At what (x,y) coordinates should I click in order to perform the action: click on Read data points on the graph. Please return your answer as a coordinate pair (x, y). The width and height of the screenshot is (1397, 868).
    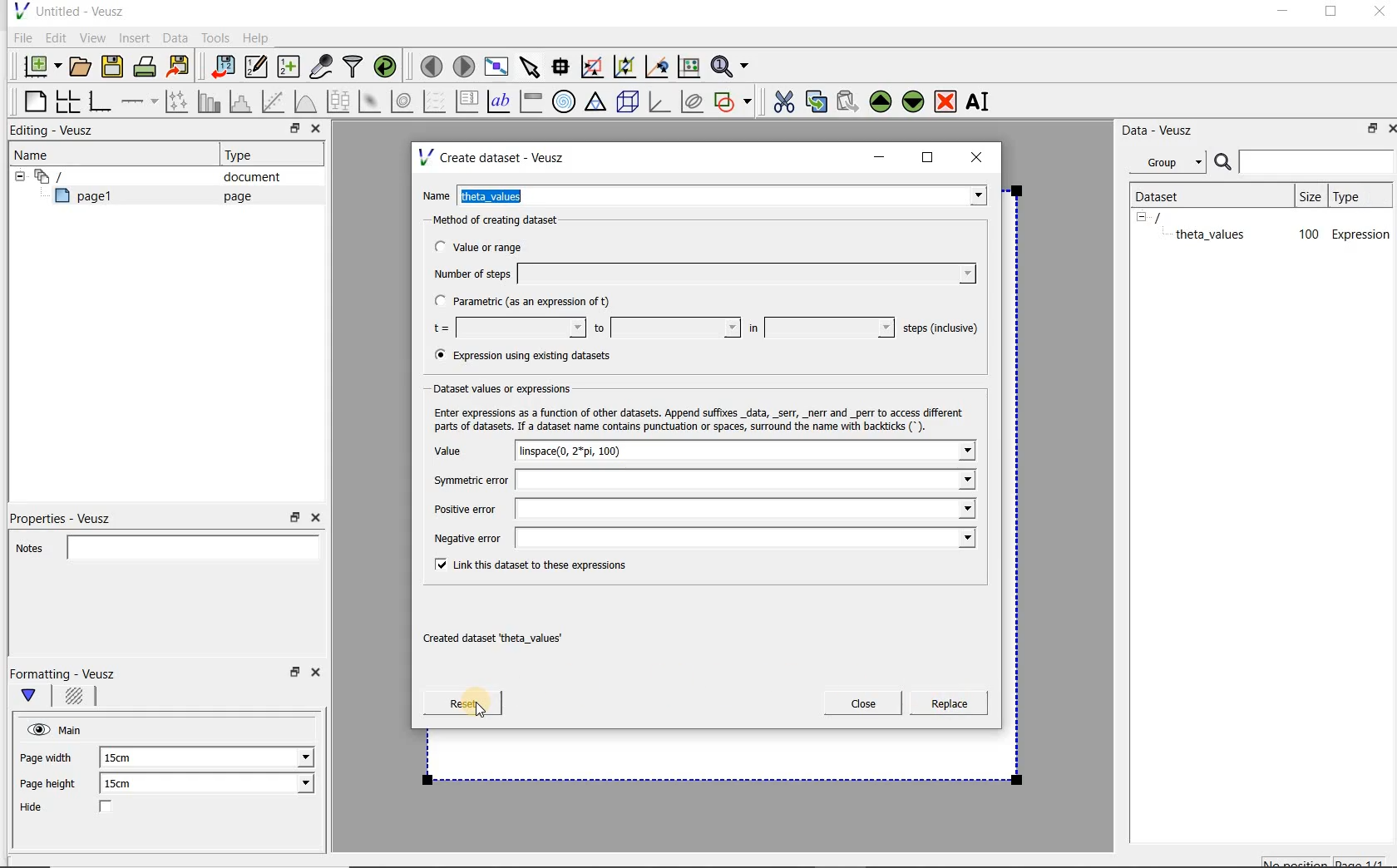
    Looking at the image, I should click on (563, 67).